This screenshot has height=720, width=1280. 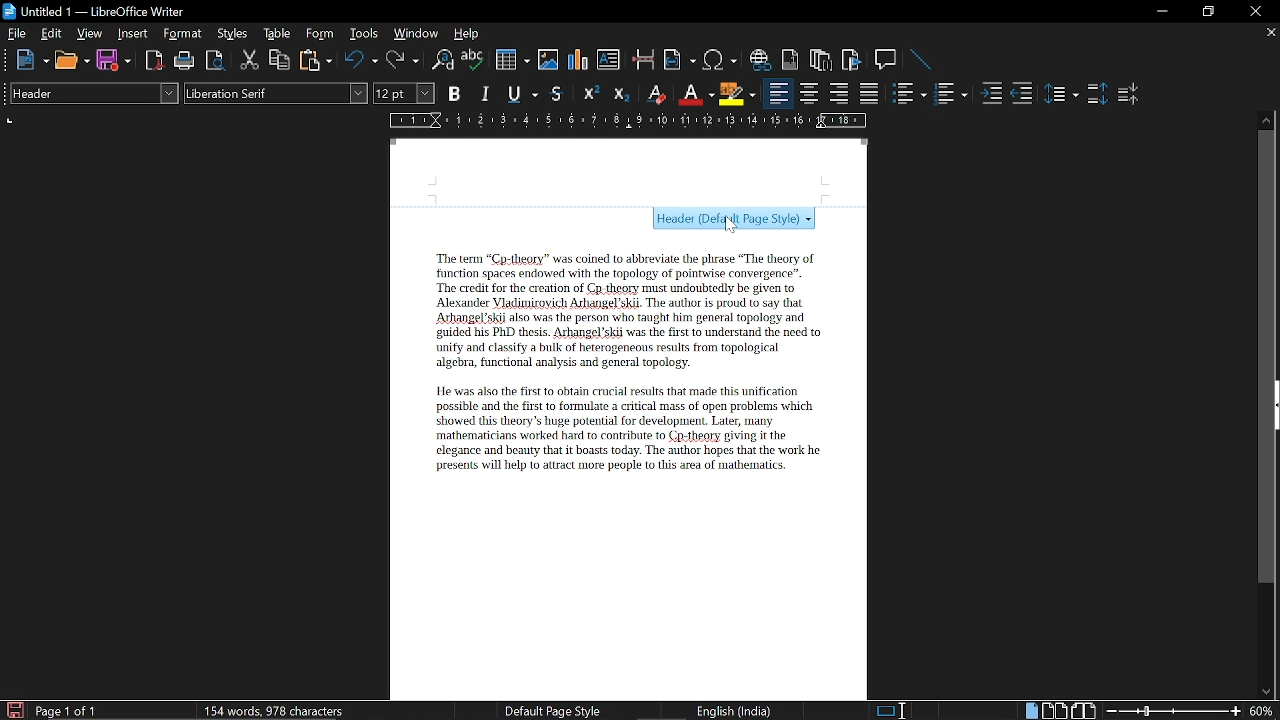 I want to click on Align left, so click(x=778, y=94).